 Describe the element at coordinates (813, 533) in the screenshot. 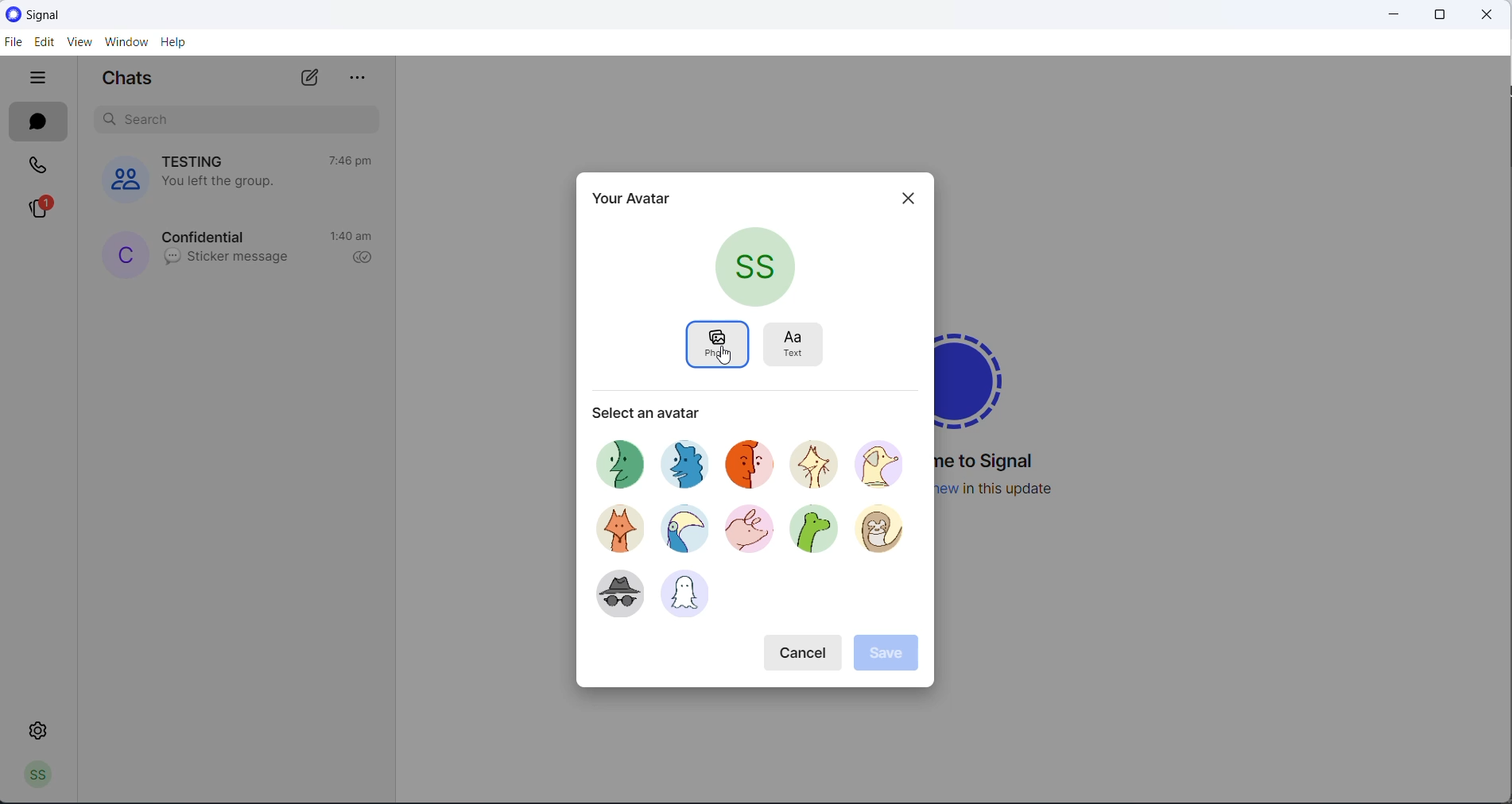

I see `avatar` at that location.